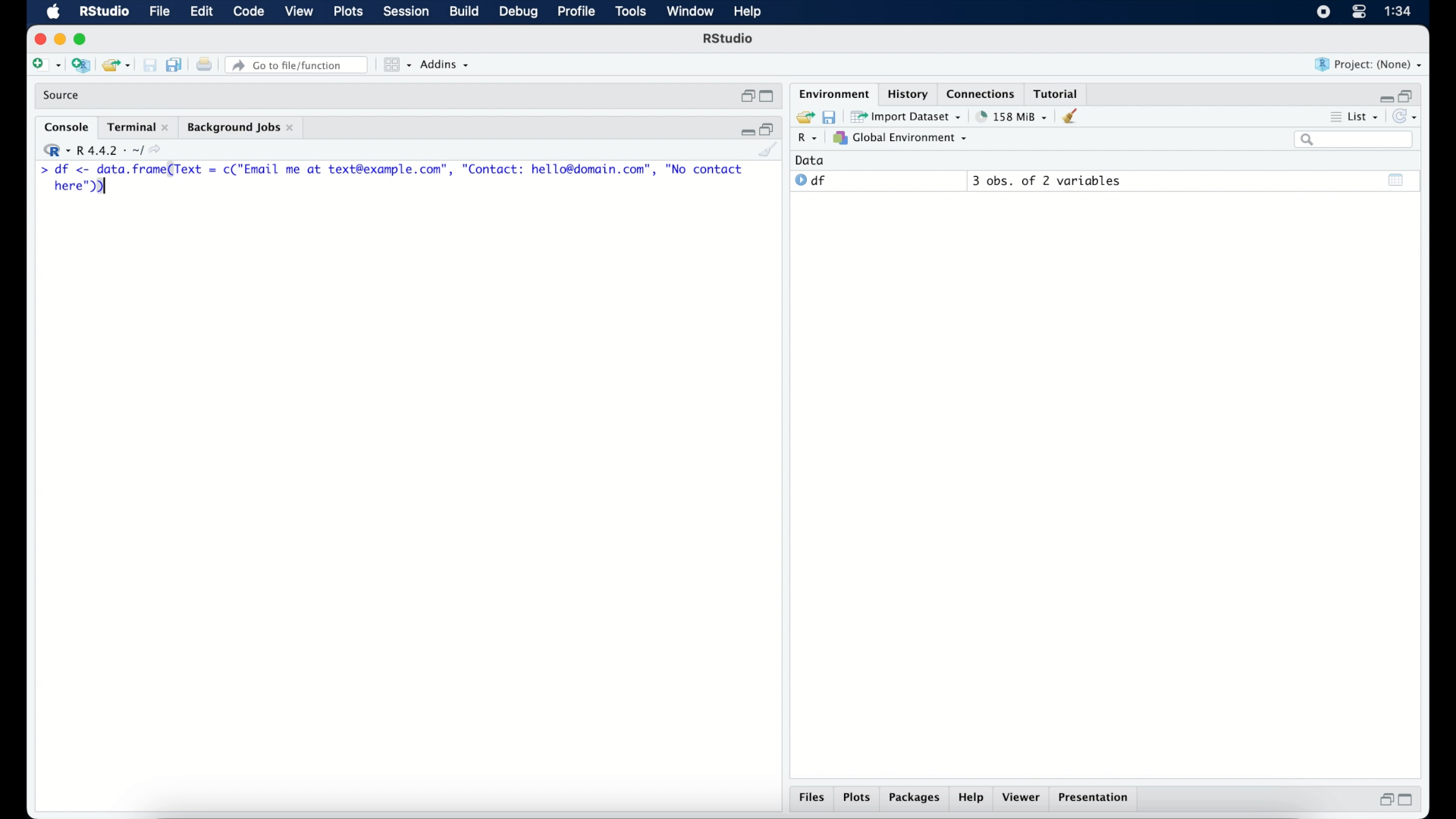 This screenshot has width=1456, height=819. I want to click on help, so click(972, 799).